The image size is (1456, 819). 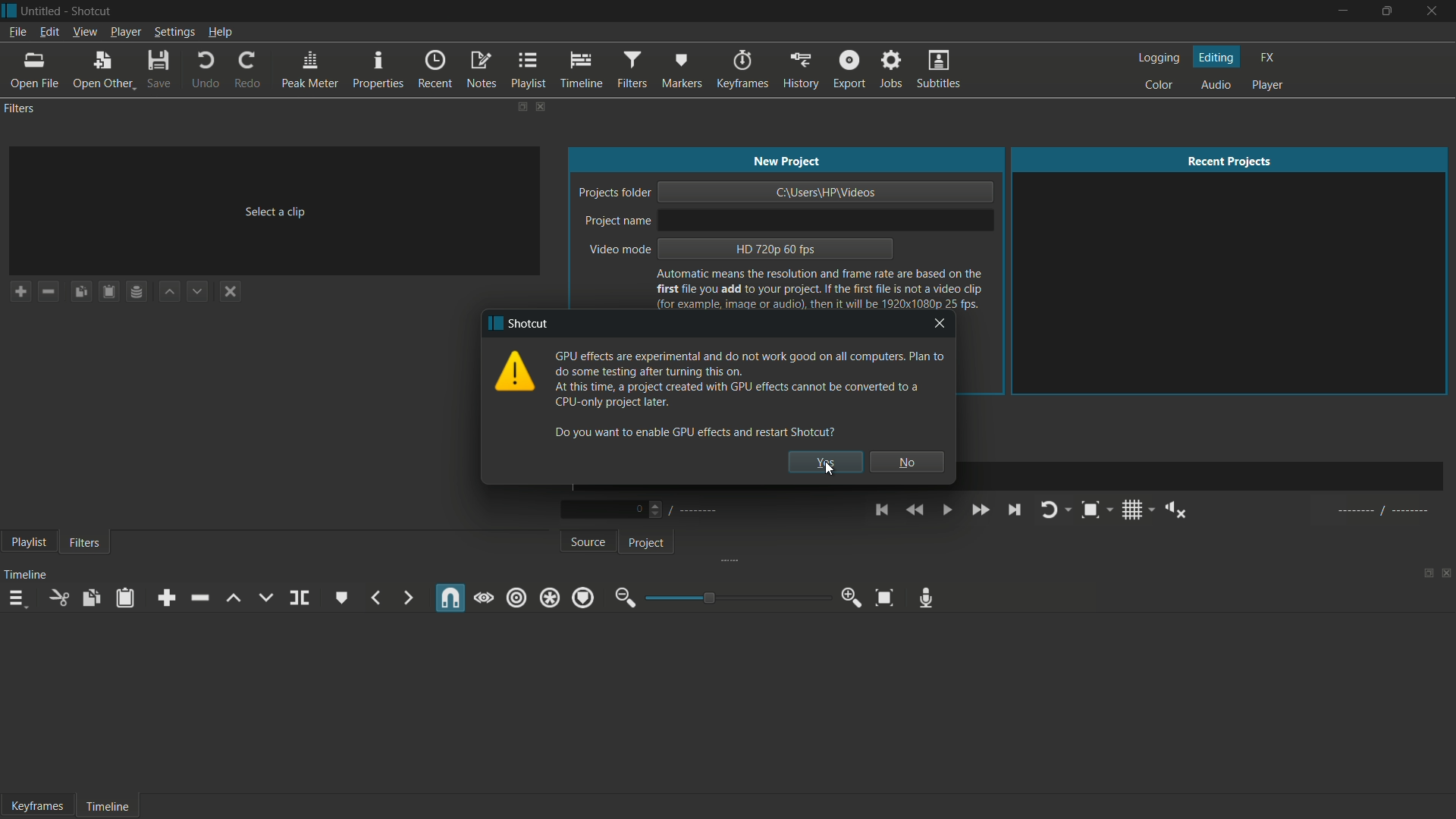 What do you see at coordinates (824, 463) in the screenshot?
I see `yes` at bounding box center [824, 463].